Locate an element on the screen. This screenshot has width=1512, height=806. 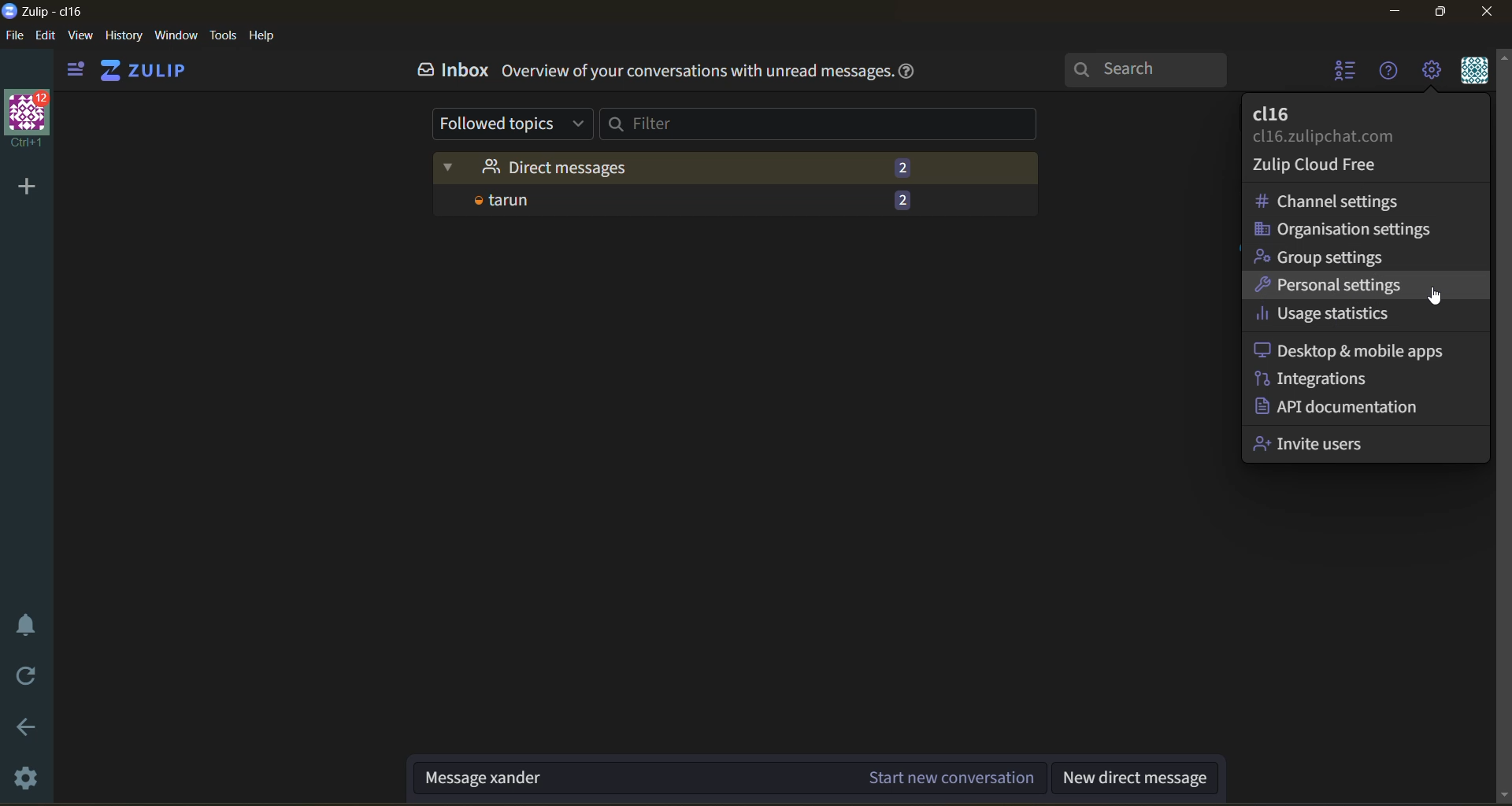
cursor is located at coordinates (1439, 299).